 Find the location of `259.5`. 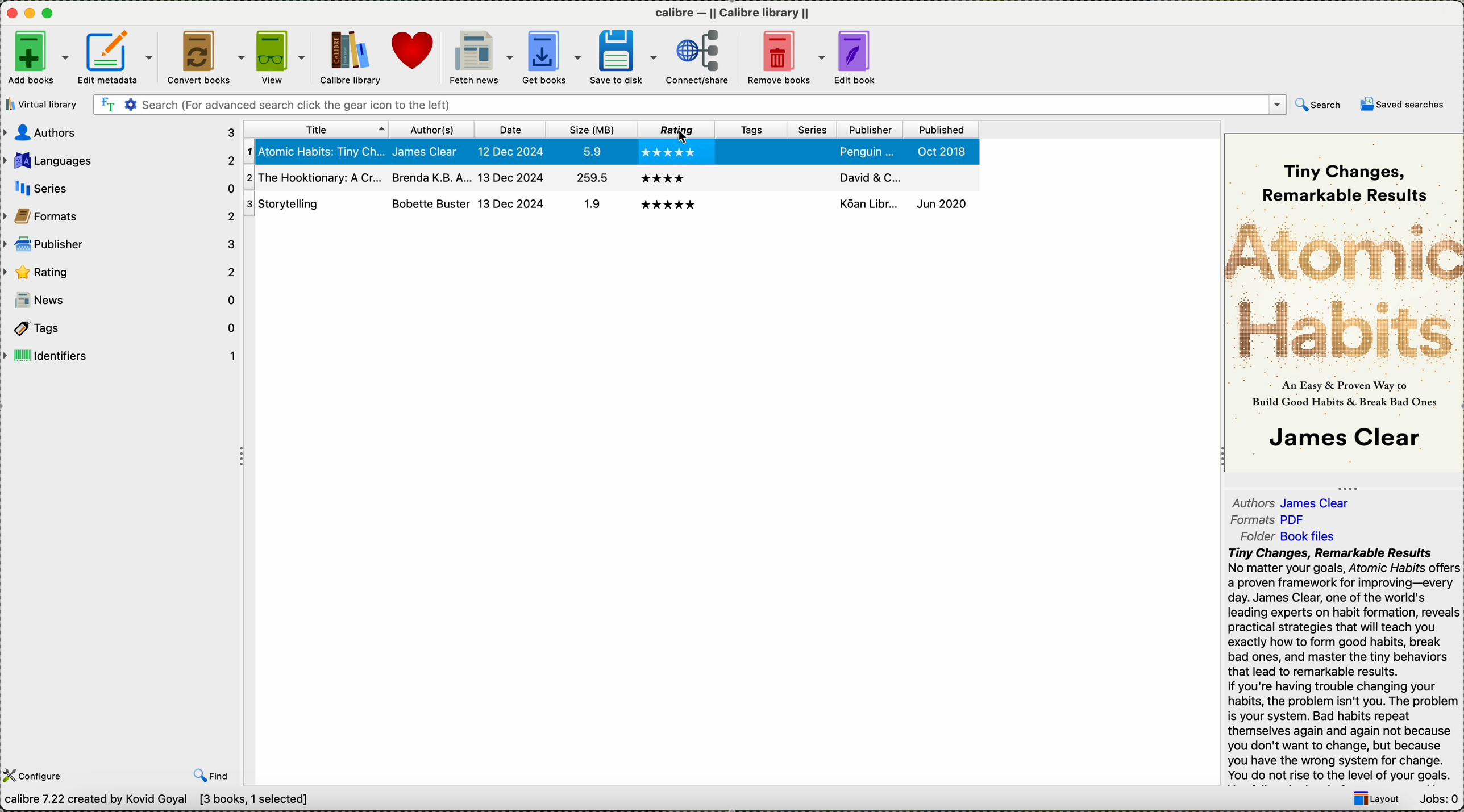

259.5 is located at coordinates (590, 179).